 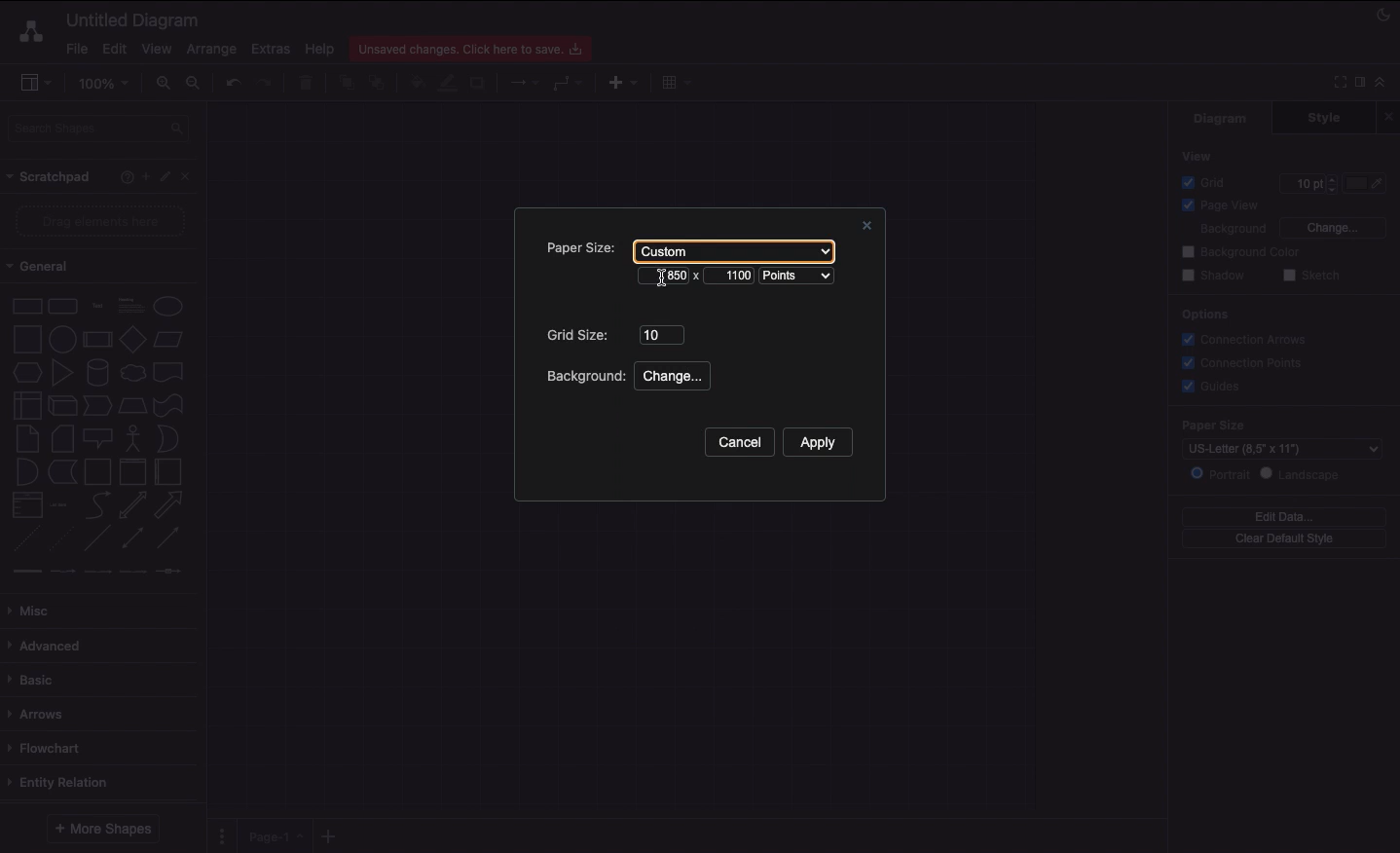 What do you see at coordinates (584, 378) in the screenshot?
I see `Background` at bounding box center [584, 378].